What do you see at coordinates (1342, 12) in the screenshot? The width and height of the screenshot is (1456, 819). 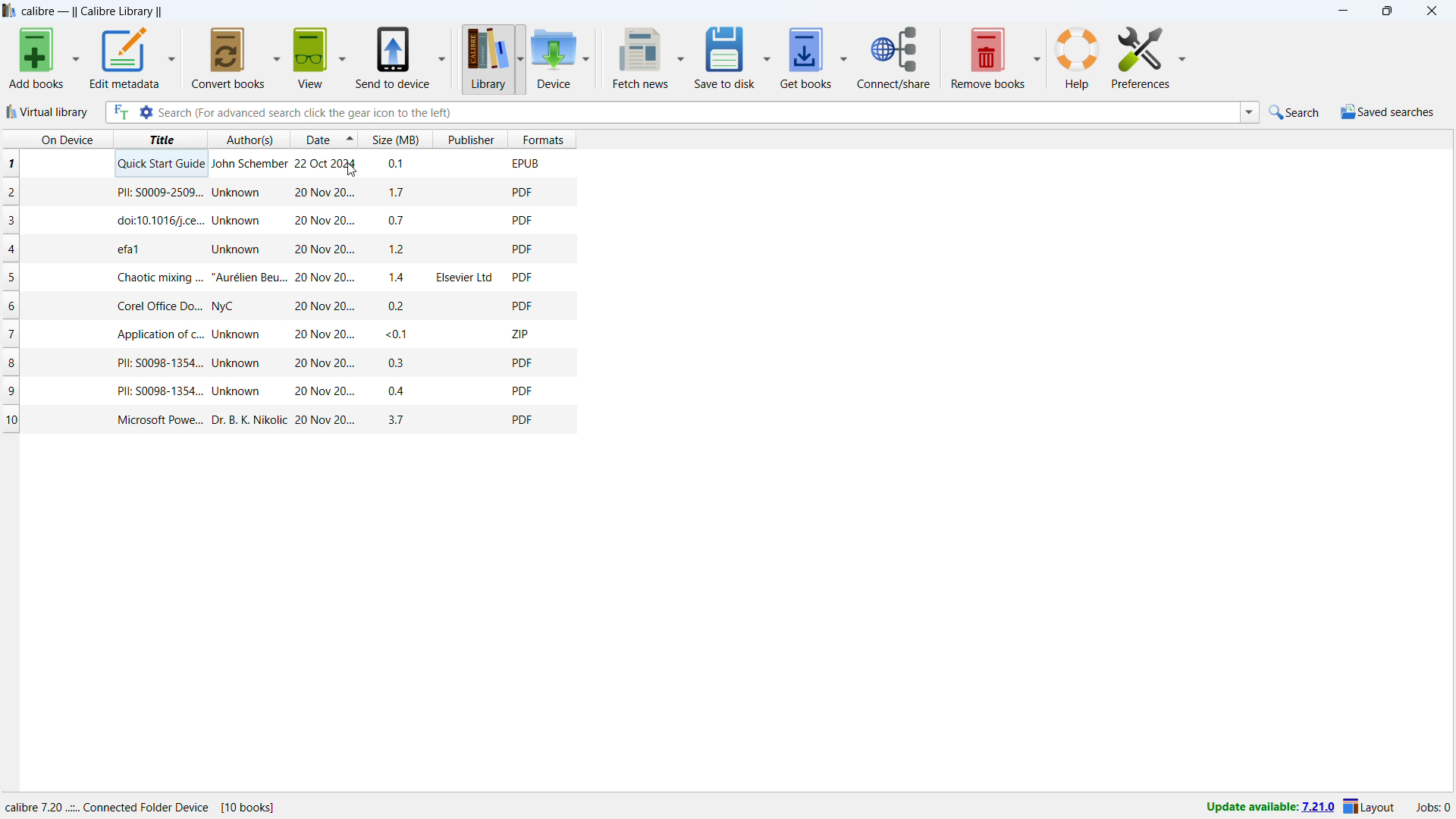 I see `minimize` at bounding box center [1342, 12].